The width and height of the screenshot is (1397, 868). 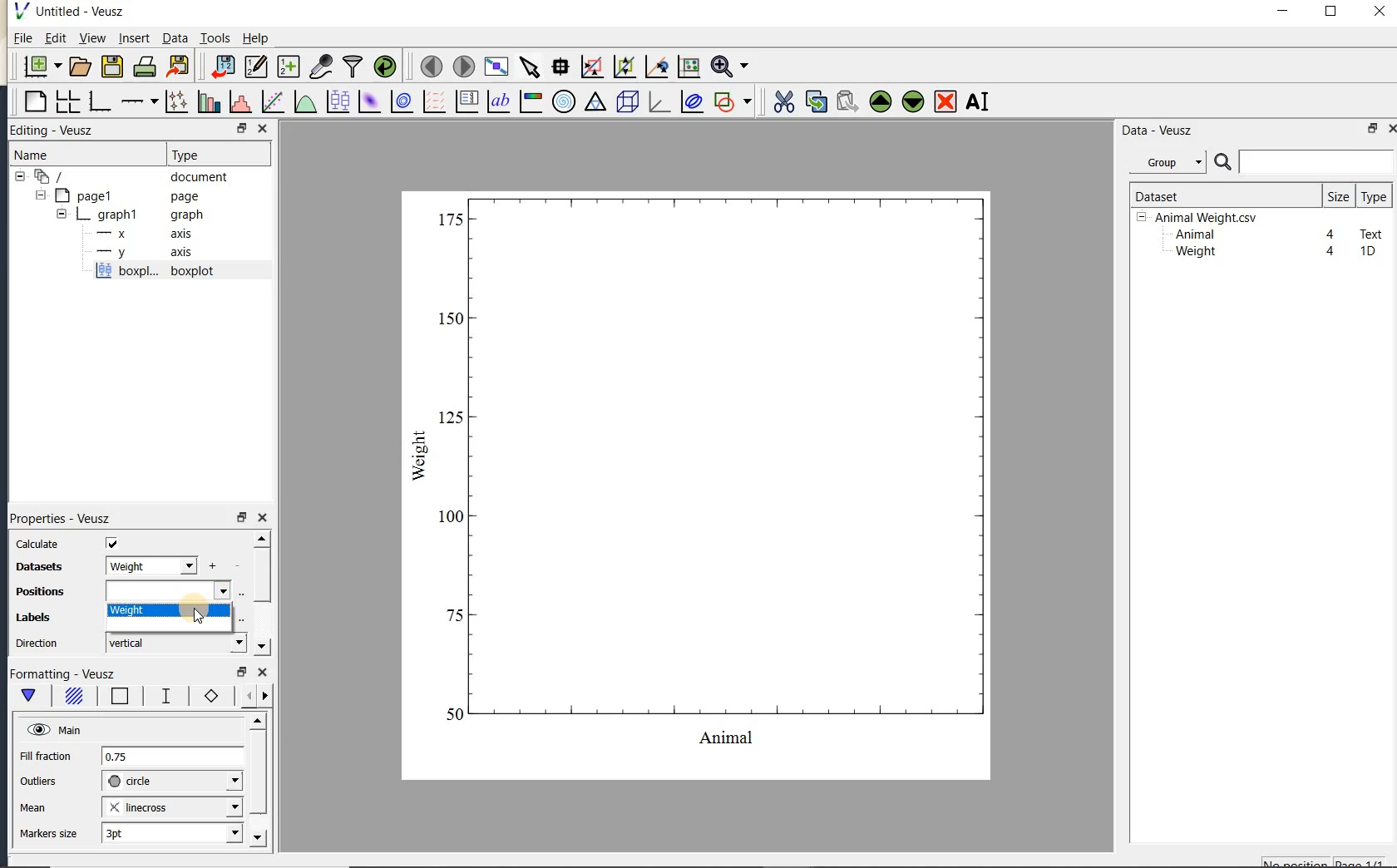 What do you see at coordinates (175, 37) in the screenshot?
I see `Data` at bounding box center [175, 37].